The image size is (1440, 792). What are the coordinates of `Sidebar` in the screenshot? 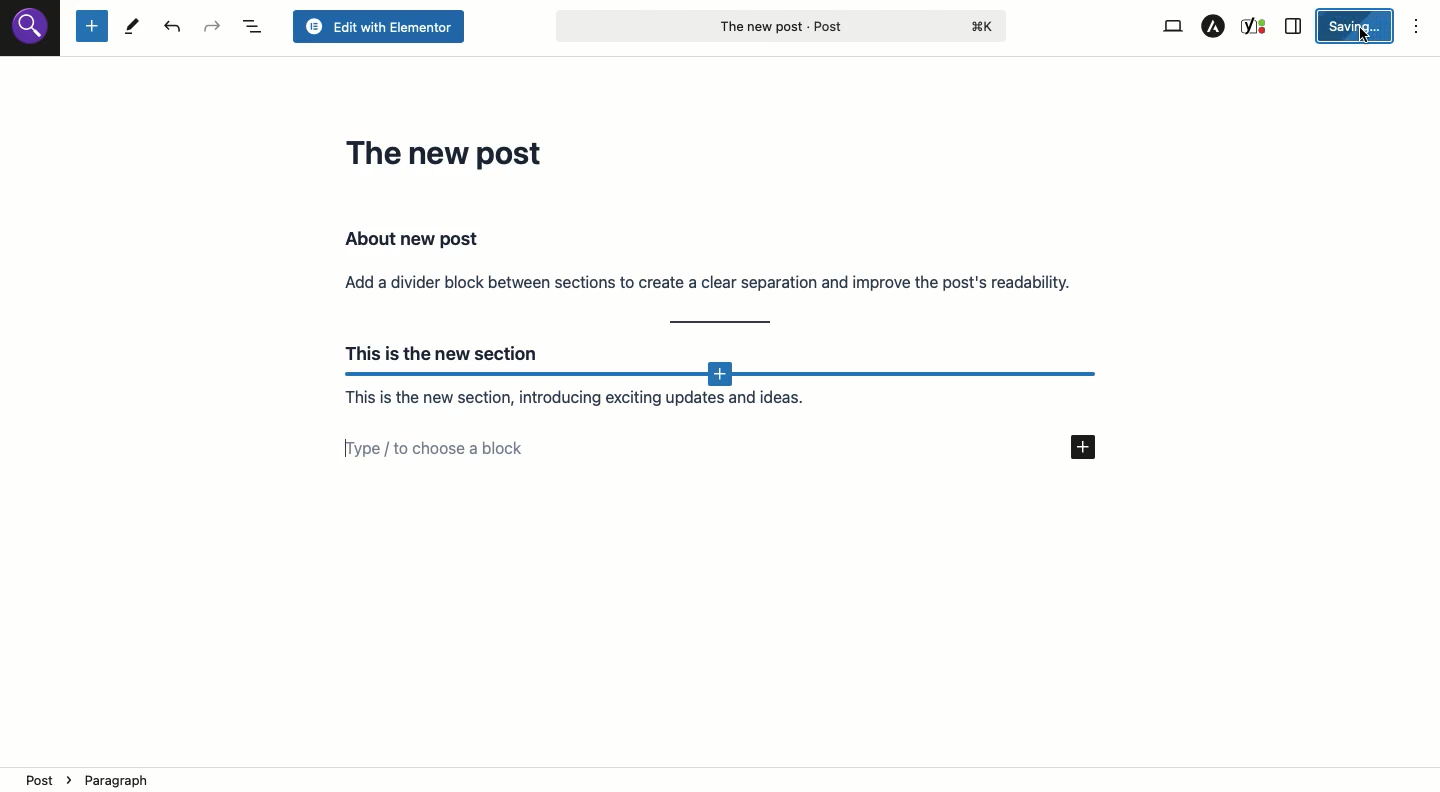 It's located at (1296, 27).